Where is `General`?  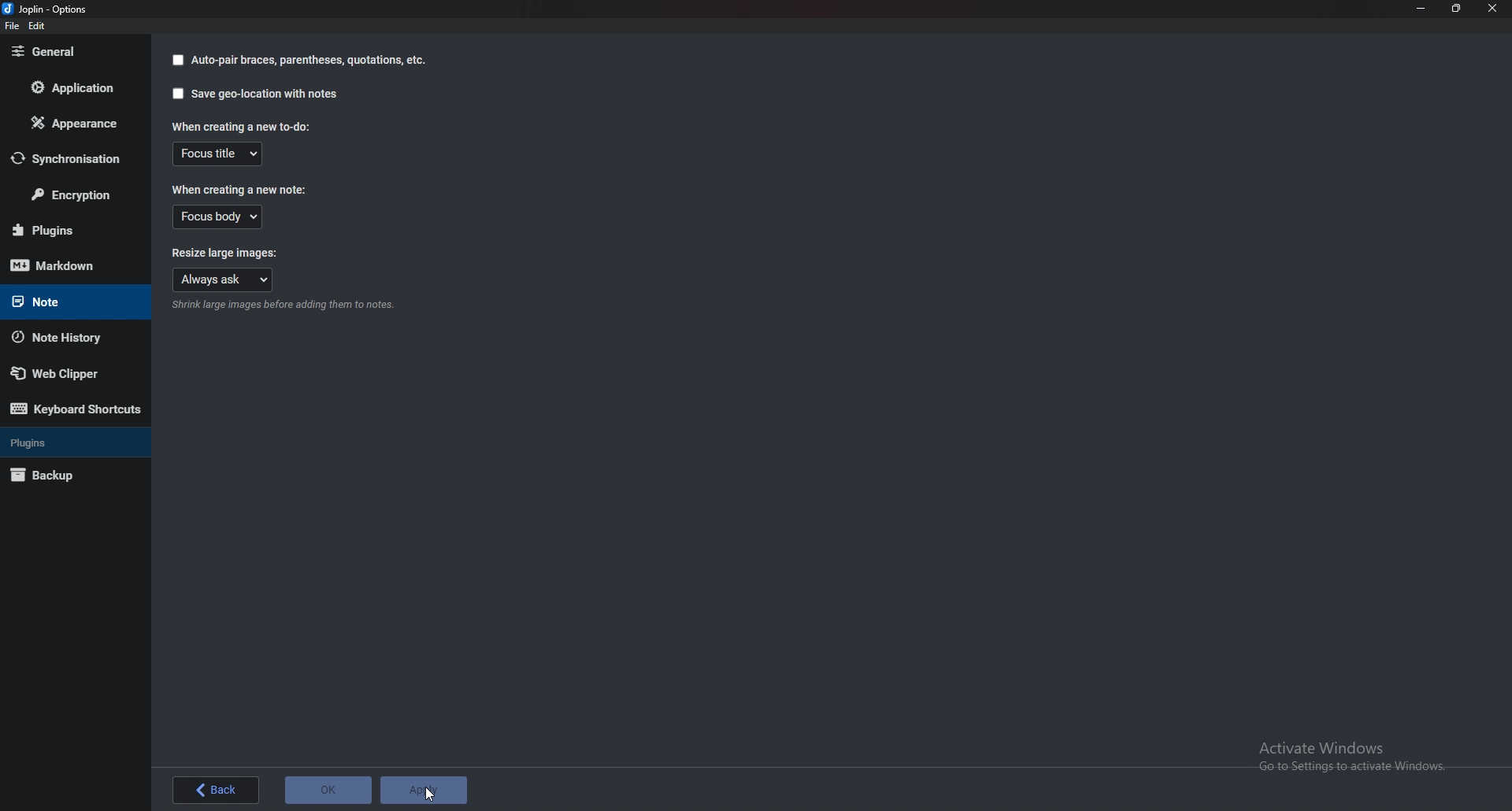
General is located at coordinates (65, 53).